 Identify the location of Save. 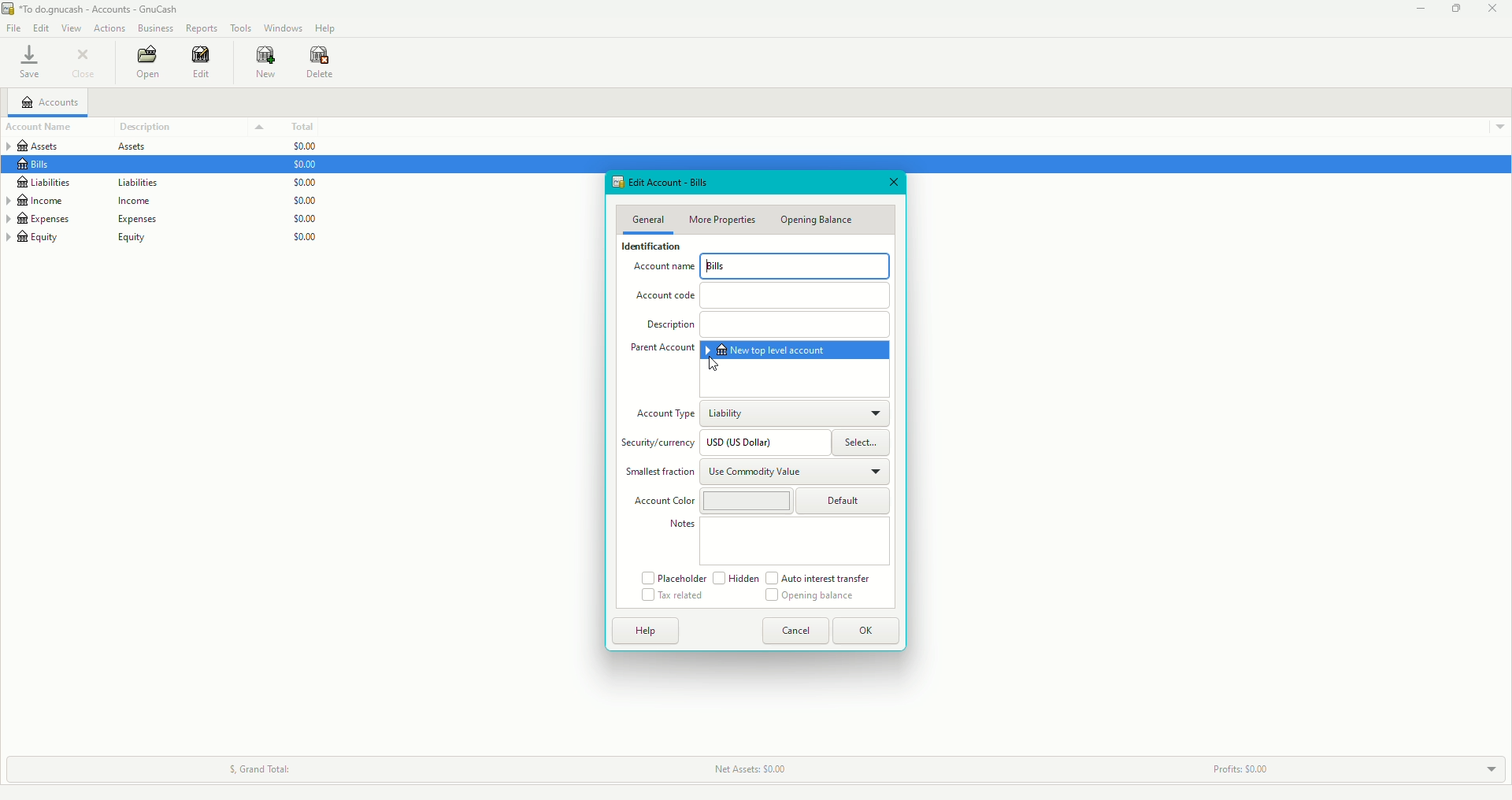
(28, 65).